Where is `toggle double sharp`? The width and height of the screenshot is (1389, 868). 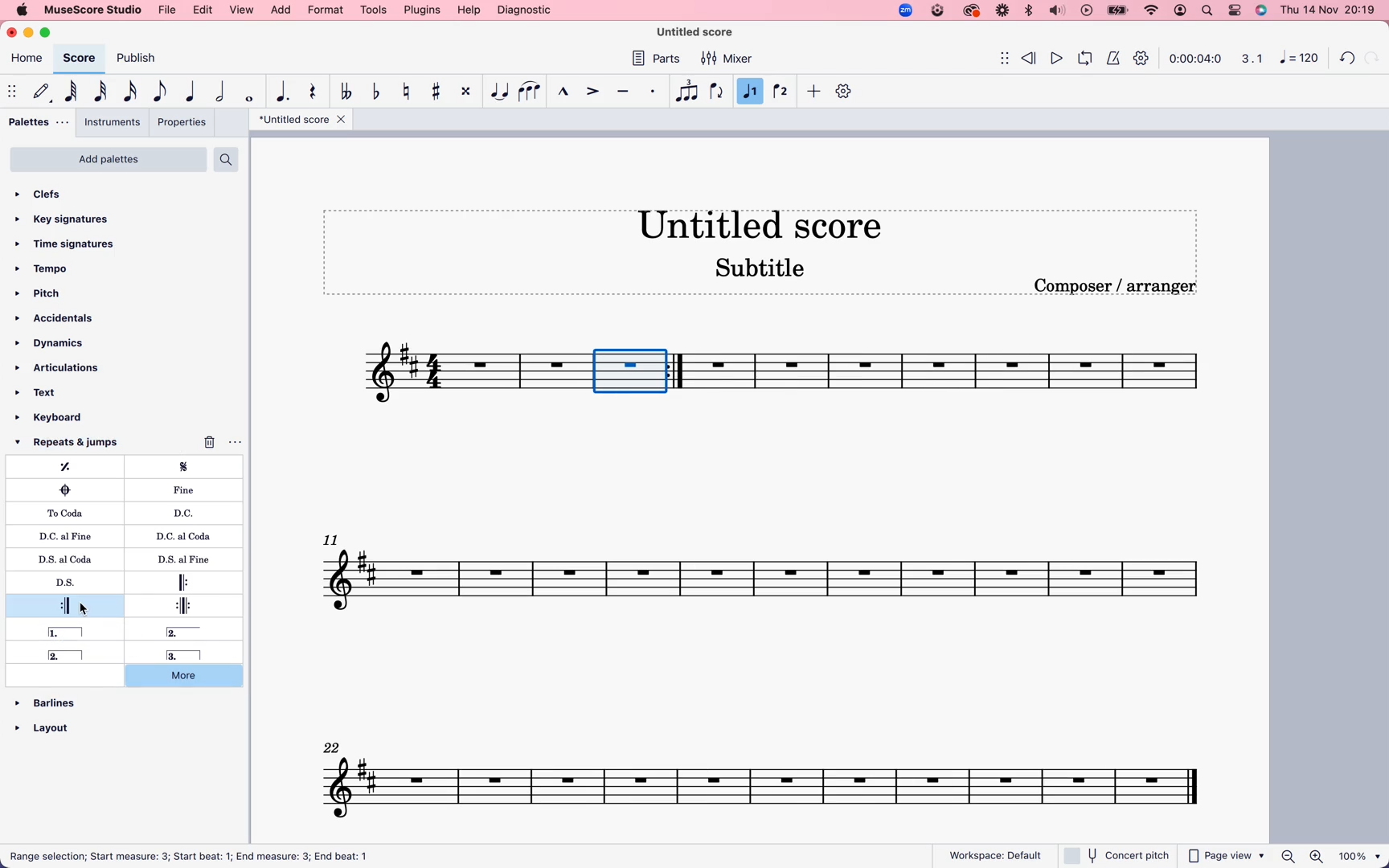
toggle double sharp is located at coordinates (468, 92).